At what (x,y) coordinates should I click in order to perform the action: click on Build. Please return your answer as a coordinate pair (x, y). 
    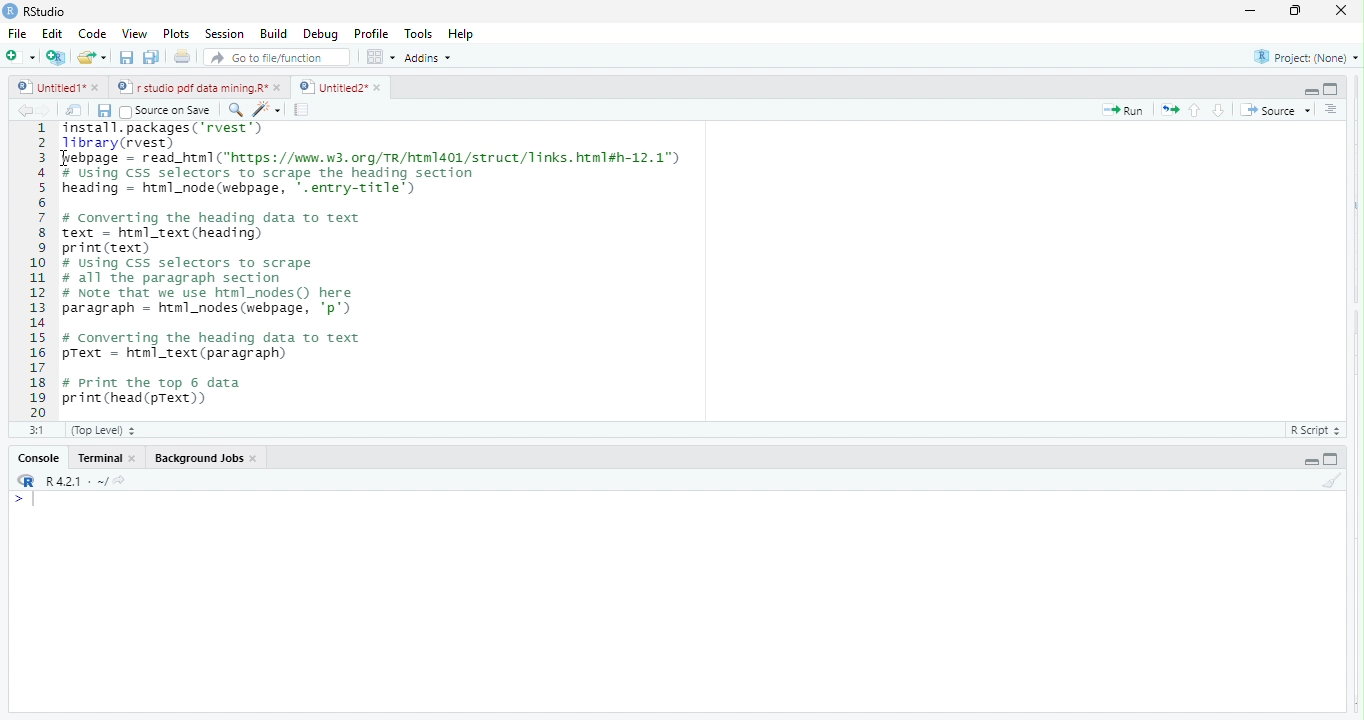
    Looking at the image, I should click on (274, 34).